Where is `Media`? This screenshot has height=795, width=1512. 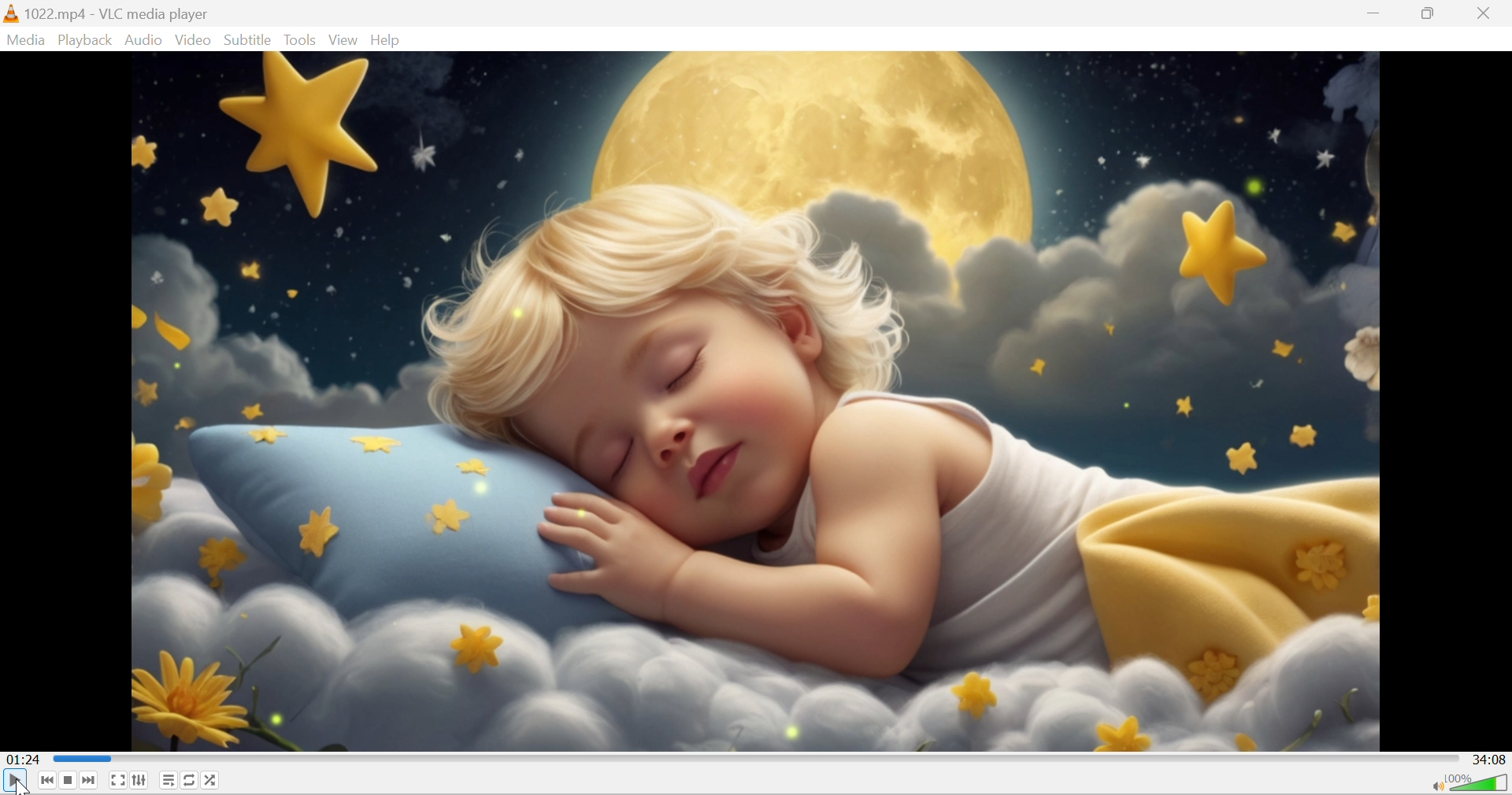
Media is located at coordinates (27, 40).